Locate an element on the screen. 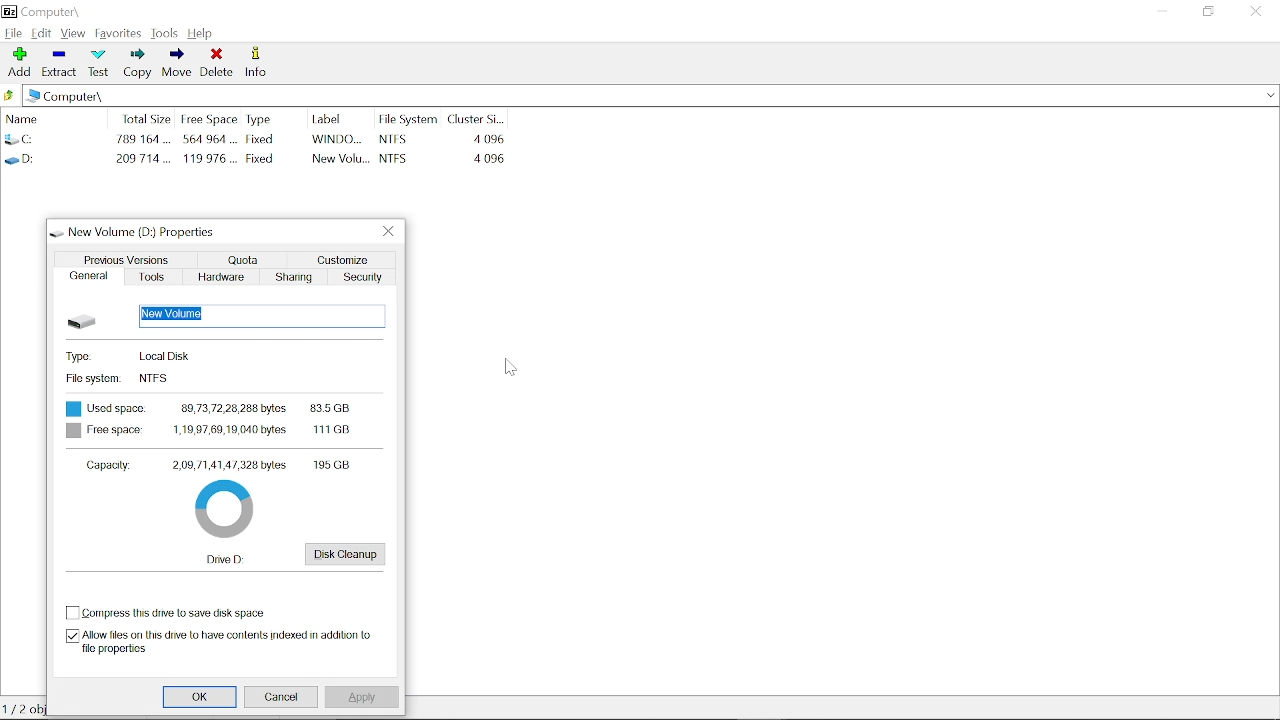  check box is located at coordinates (71, 613).